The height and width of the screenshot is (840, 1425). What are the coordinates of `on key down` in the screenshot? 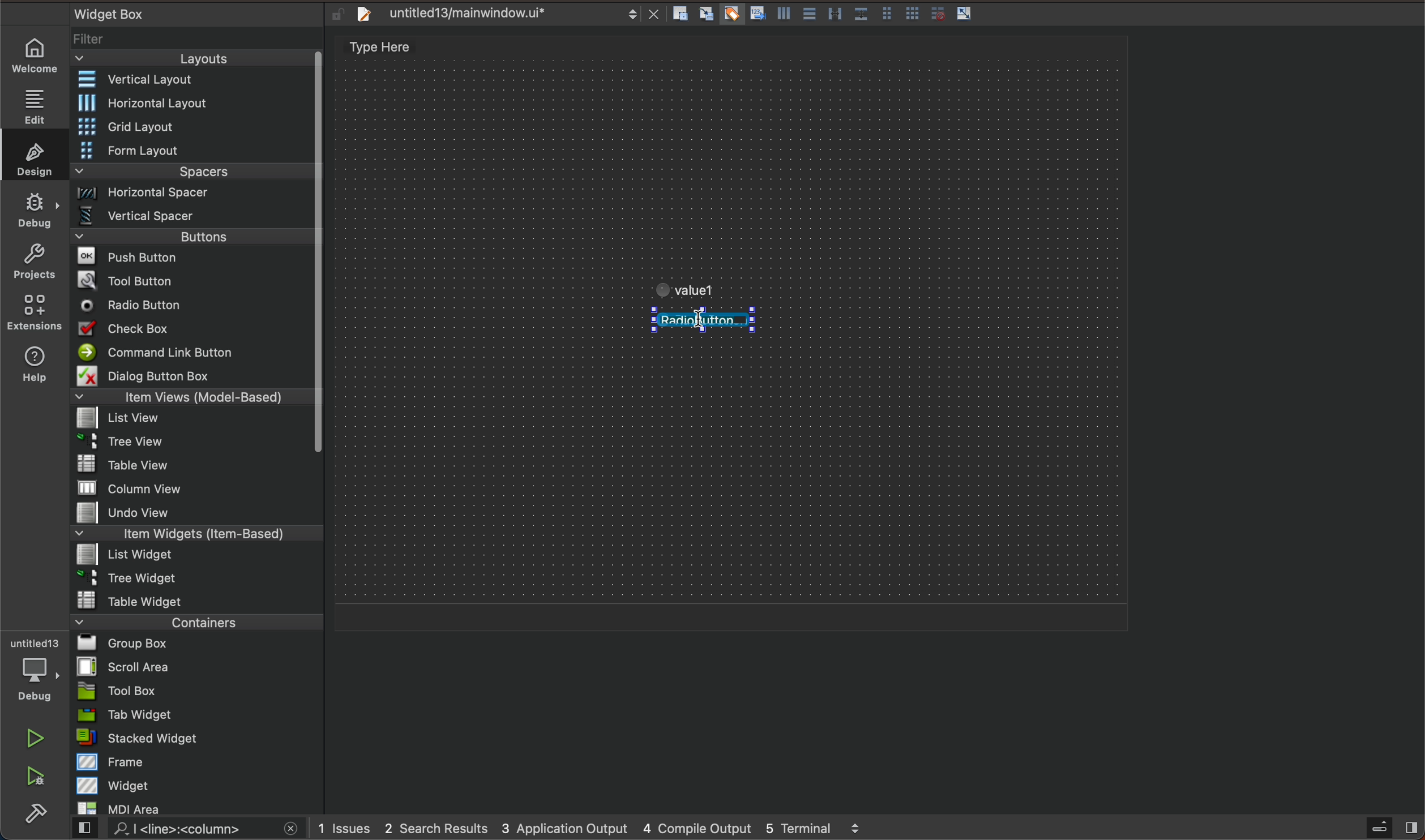 It's located at (135, 306).